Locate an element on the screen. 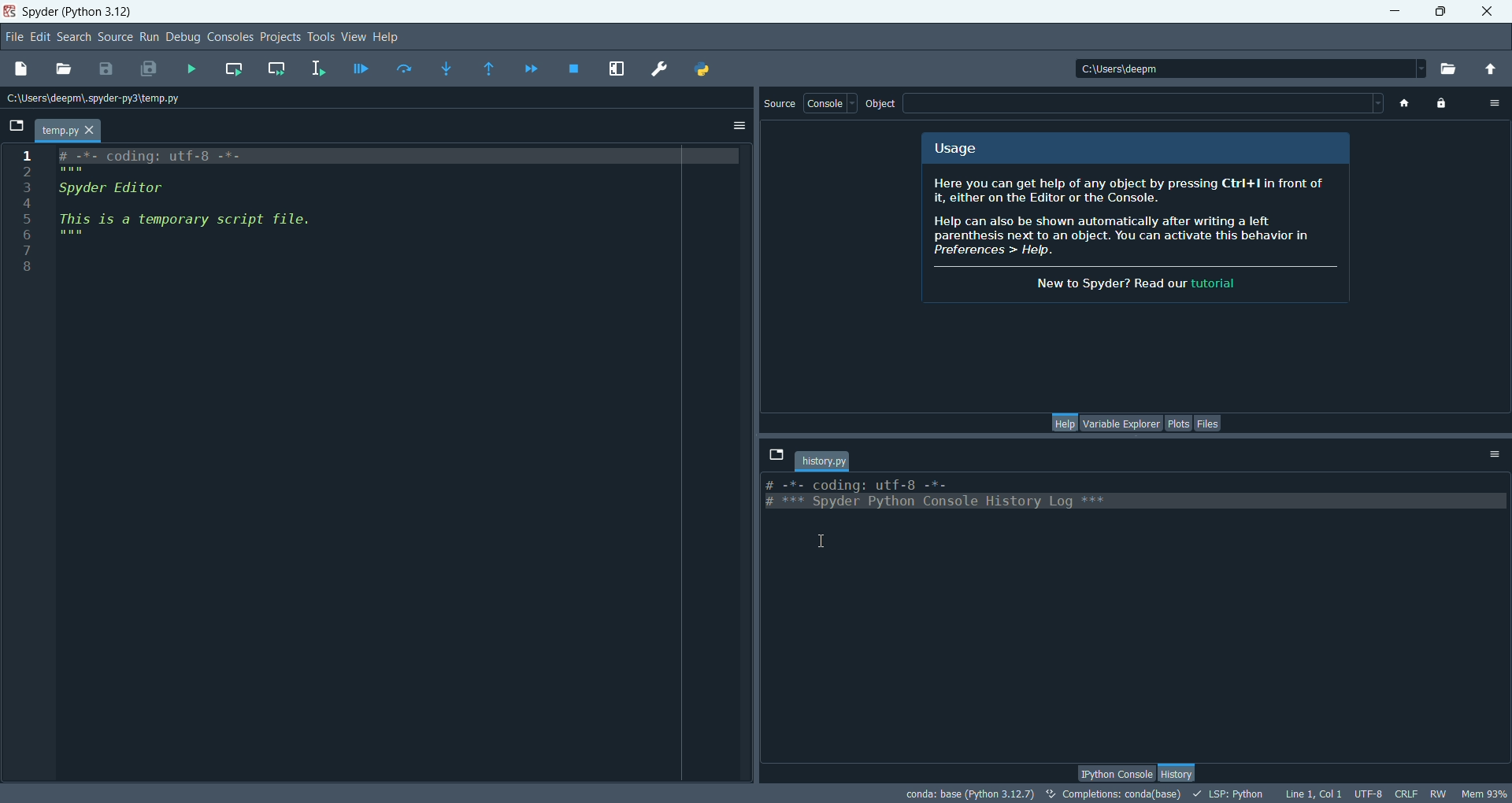  home is located at coordinates (1407, 105).